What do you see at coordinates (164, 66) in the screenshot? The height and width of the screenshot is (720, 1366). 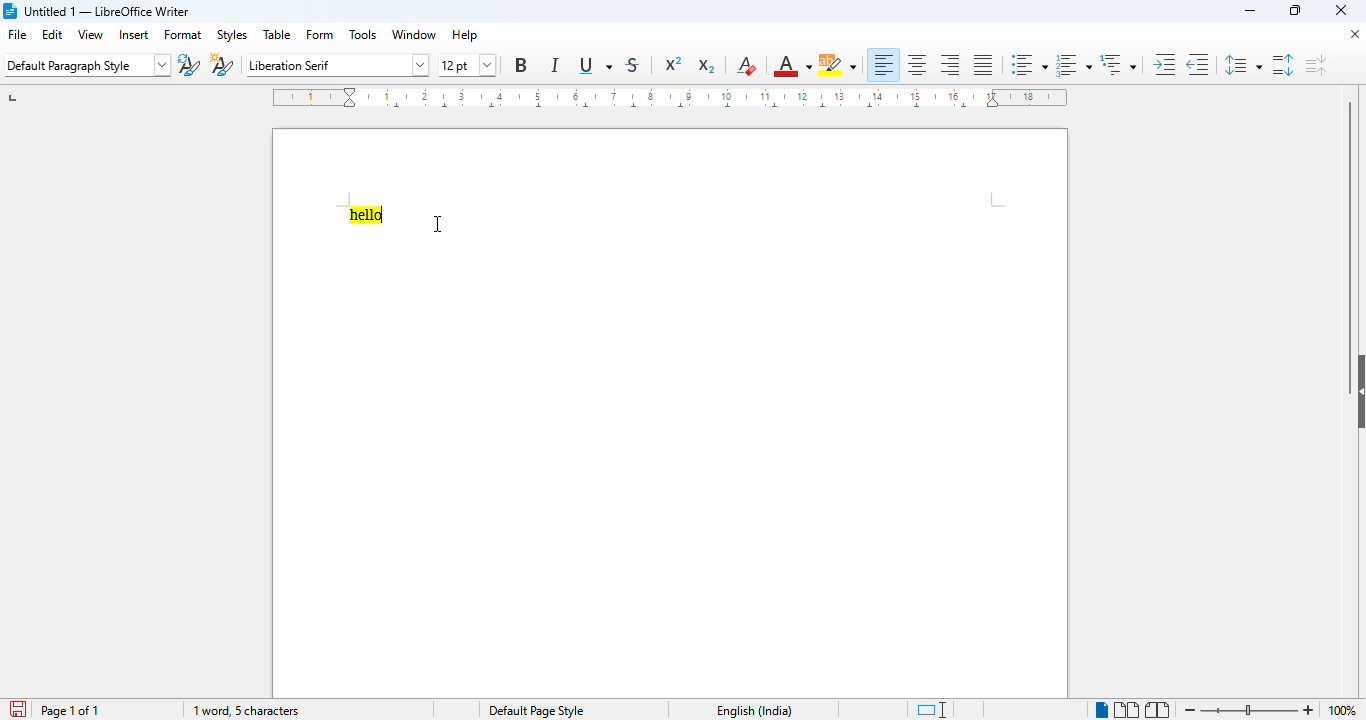 I see `dropdown` at bounding box center [164, 66].